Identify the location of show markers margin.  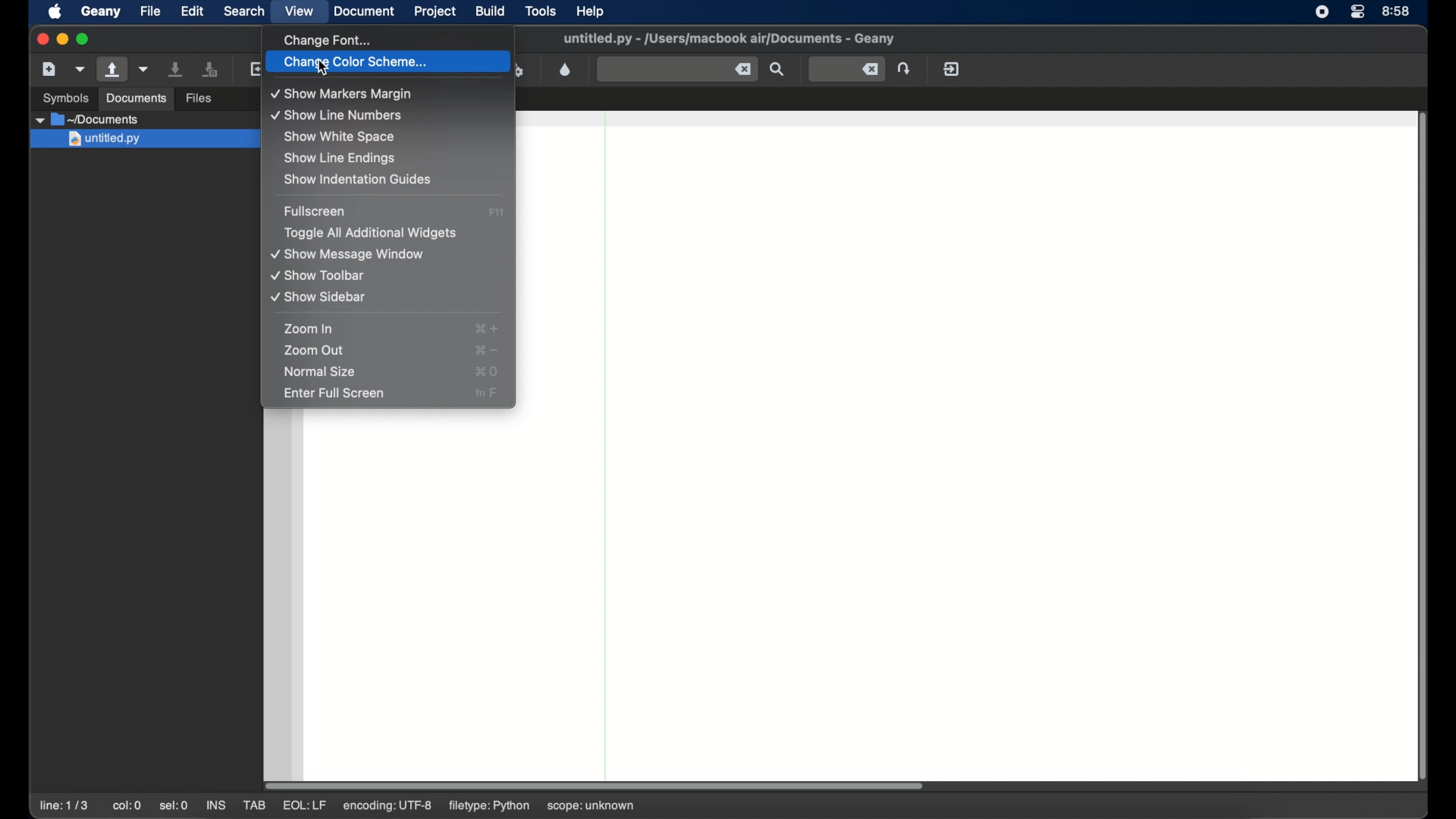
(342, 95).